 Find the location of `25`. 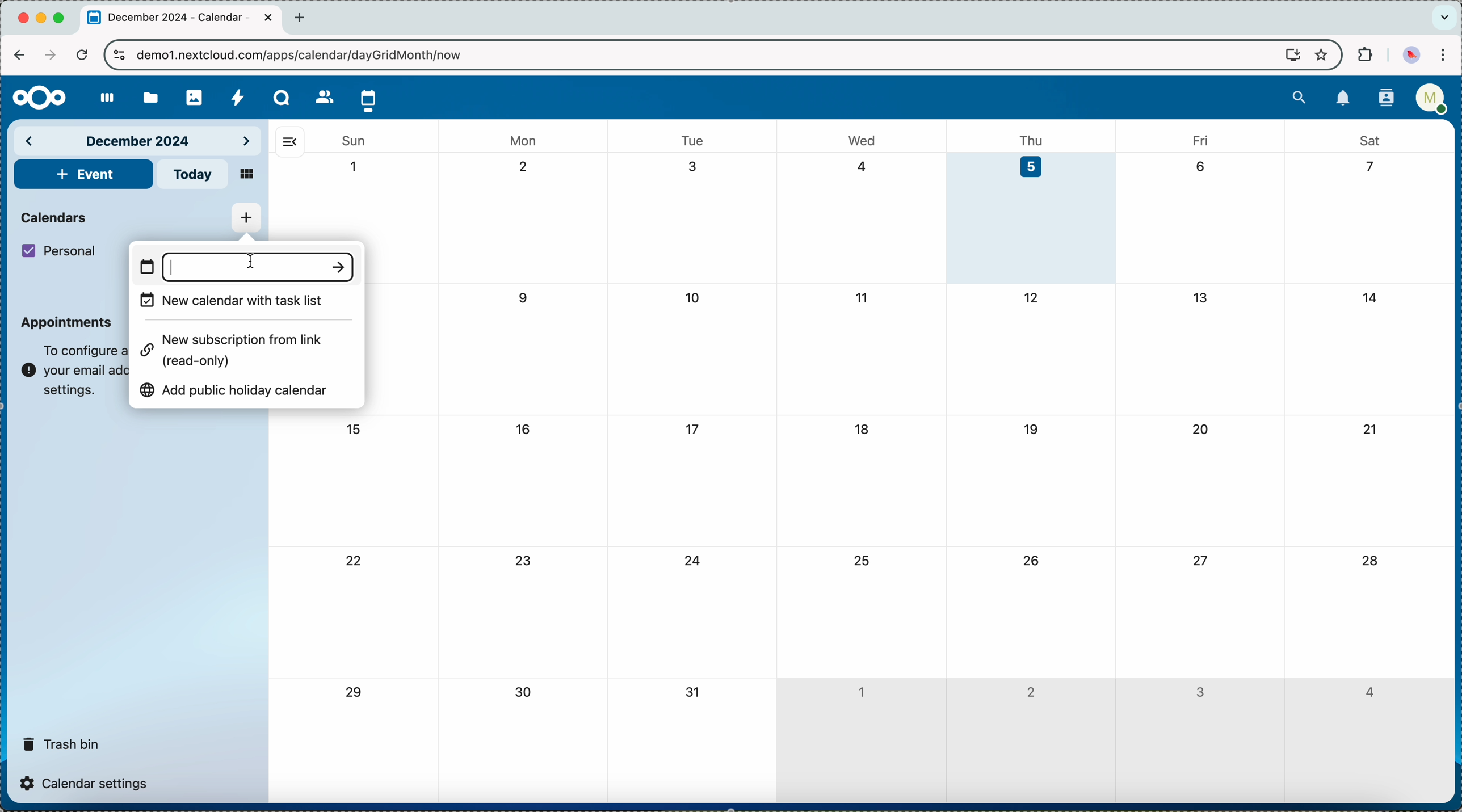

25 is located at coordinates (860, 560).